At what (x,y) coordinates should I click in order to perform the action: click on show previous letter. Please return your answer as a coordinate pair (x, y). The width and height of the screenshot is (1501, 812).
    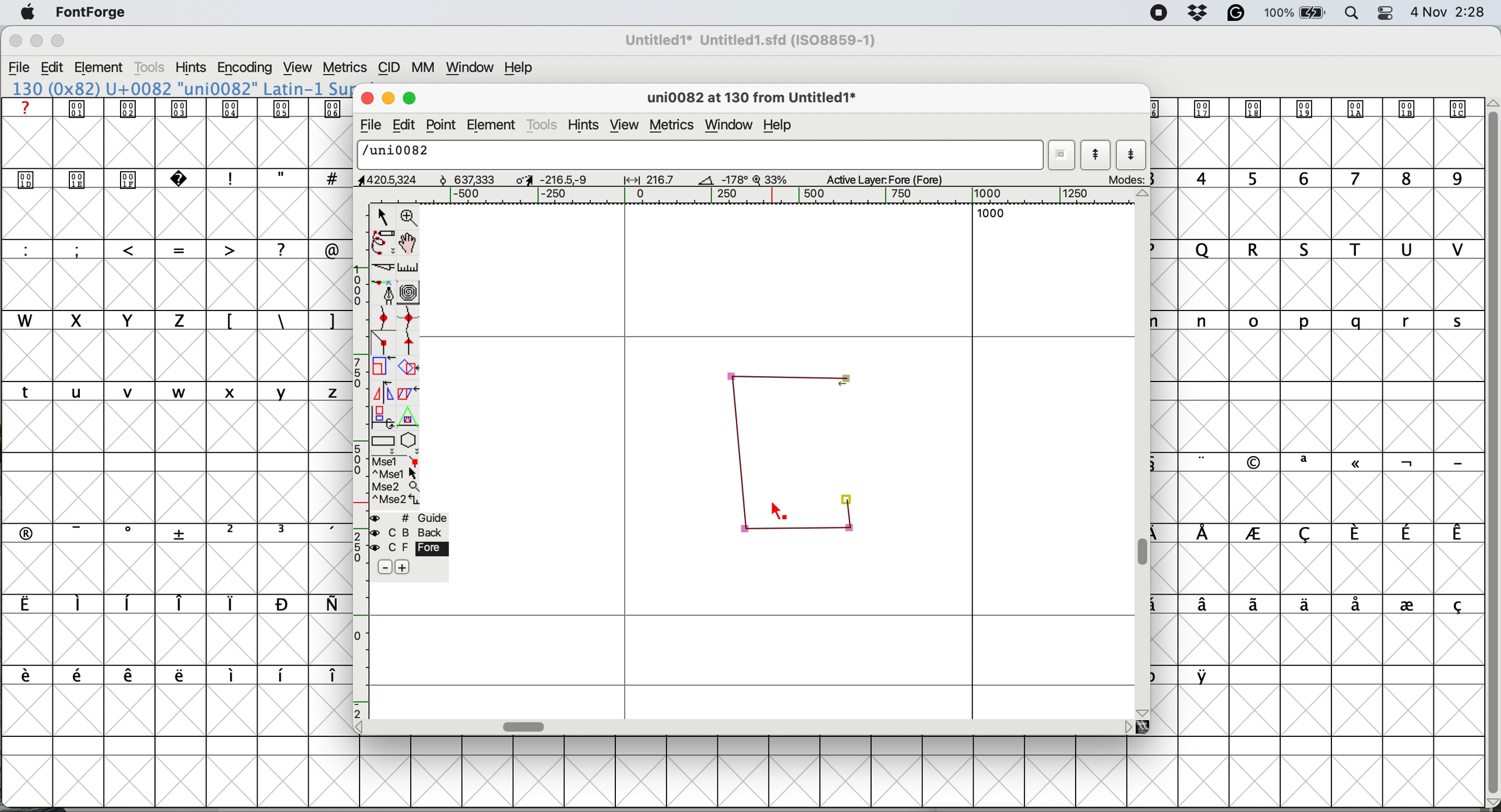
    Looking at the image, I should click on (1098, 154).